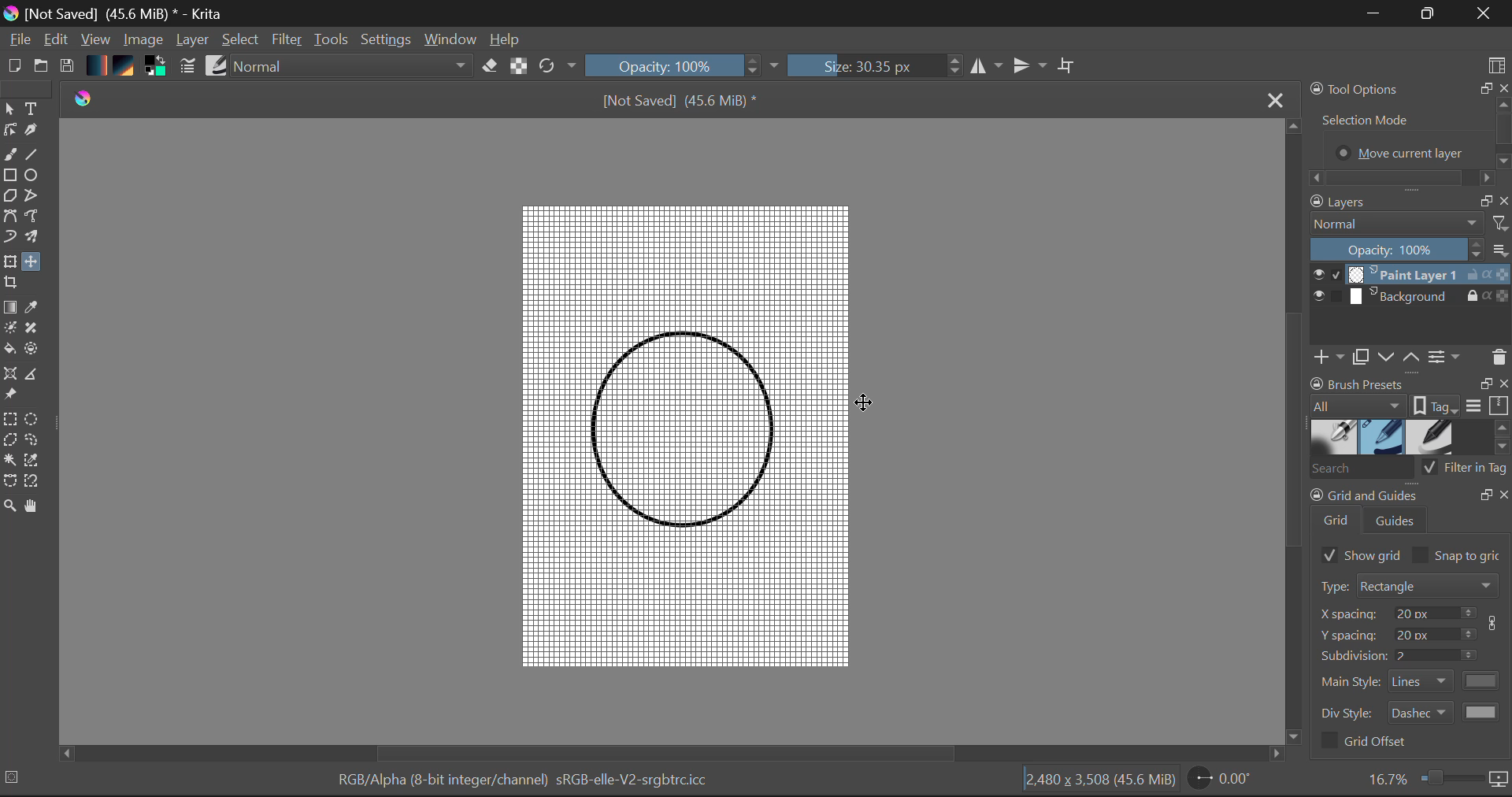  What do you see at coordinates (677, 65) in the screenshot?
I see `Brush Stroke Opacity` at bounding box center [677, 65].